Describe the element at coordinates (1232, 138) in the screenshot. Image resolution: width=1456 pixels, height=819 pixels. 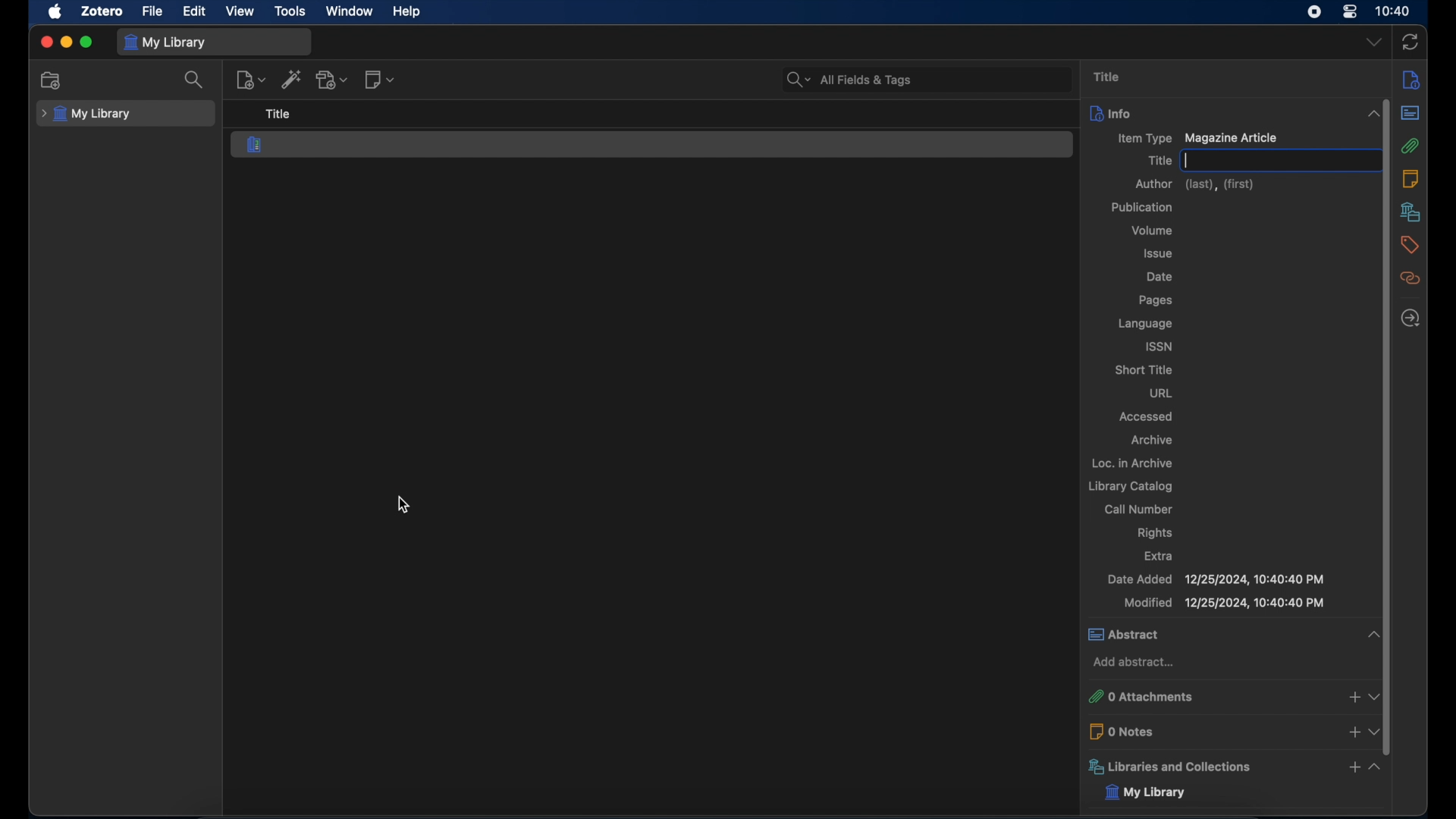
I see `Magazine Article` at that location.